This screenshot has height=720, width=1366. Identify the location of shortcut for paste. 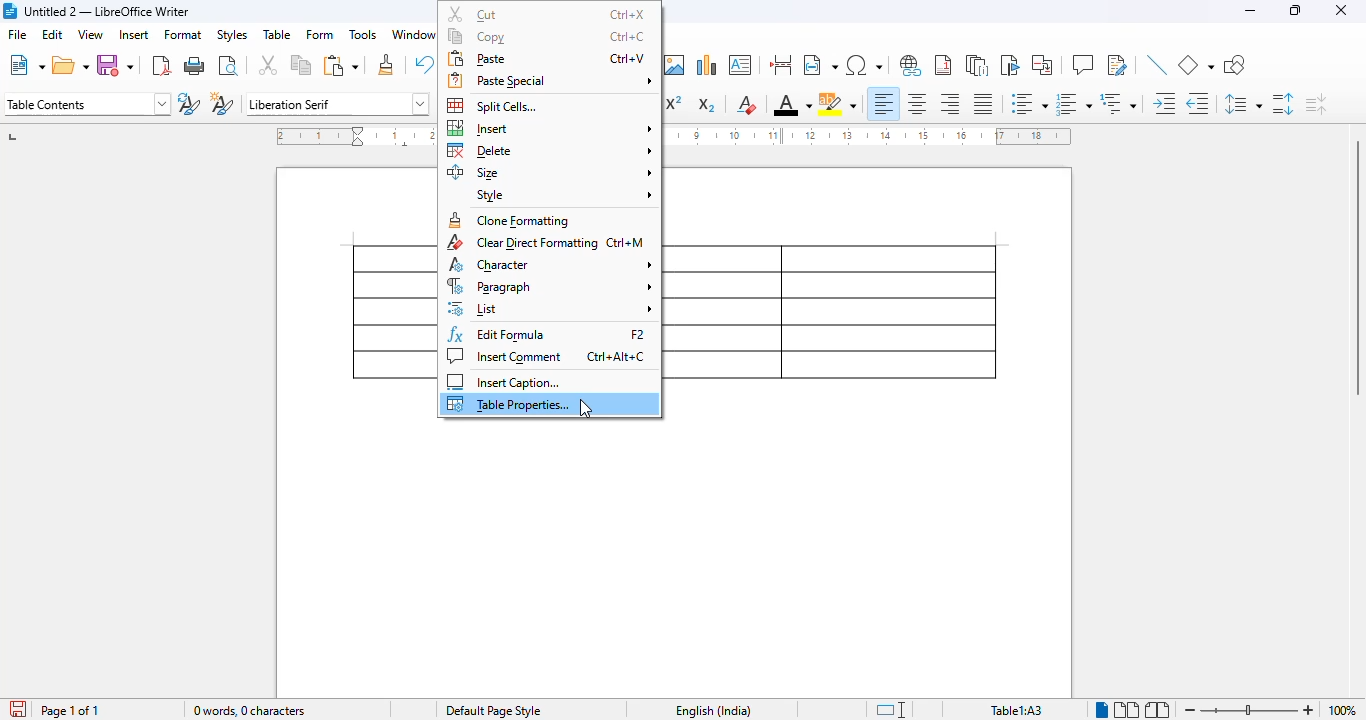
(628, 58).